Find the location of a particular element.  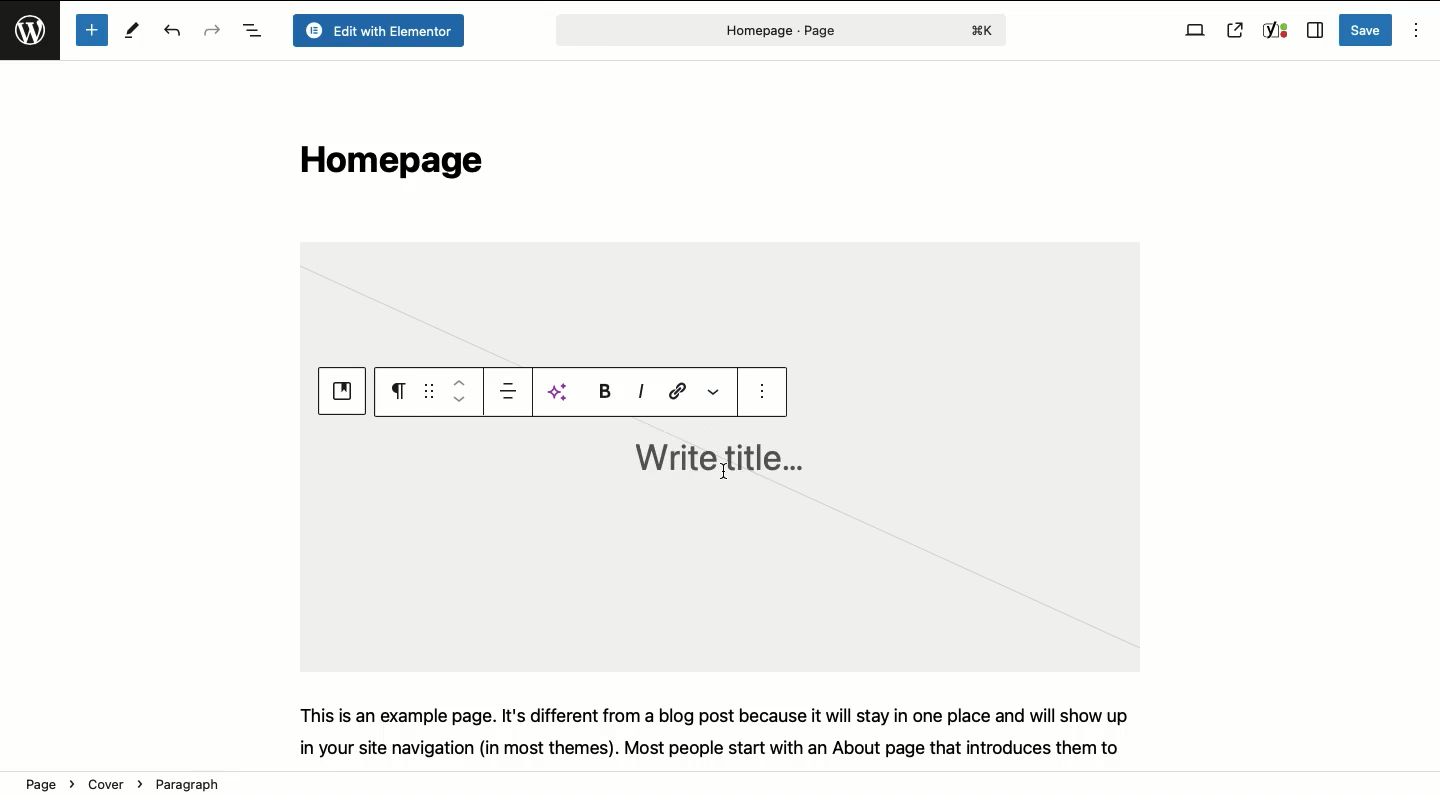

move updown is located at coordinates (458, 390).